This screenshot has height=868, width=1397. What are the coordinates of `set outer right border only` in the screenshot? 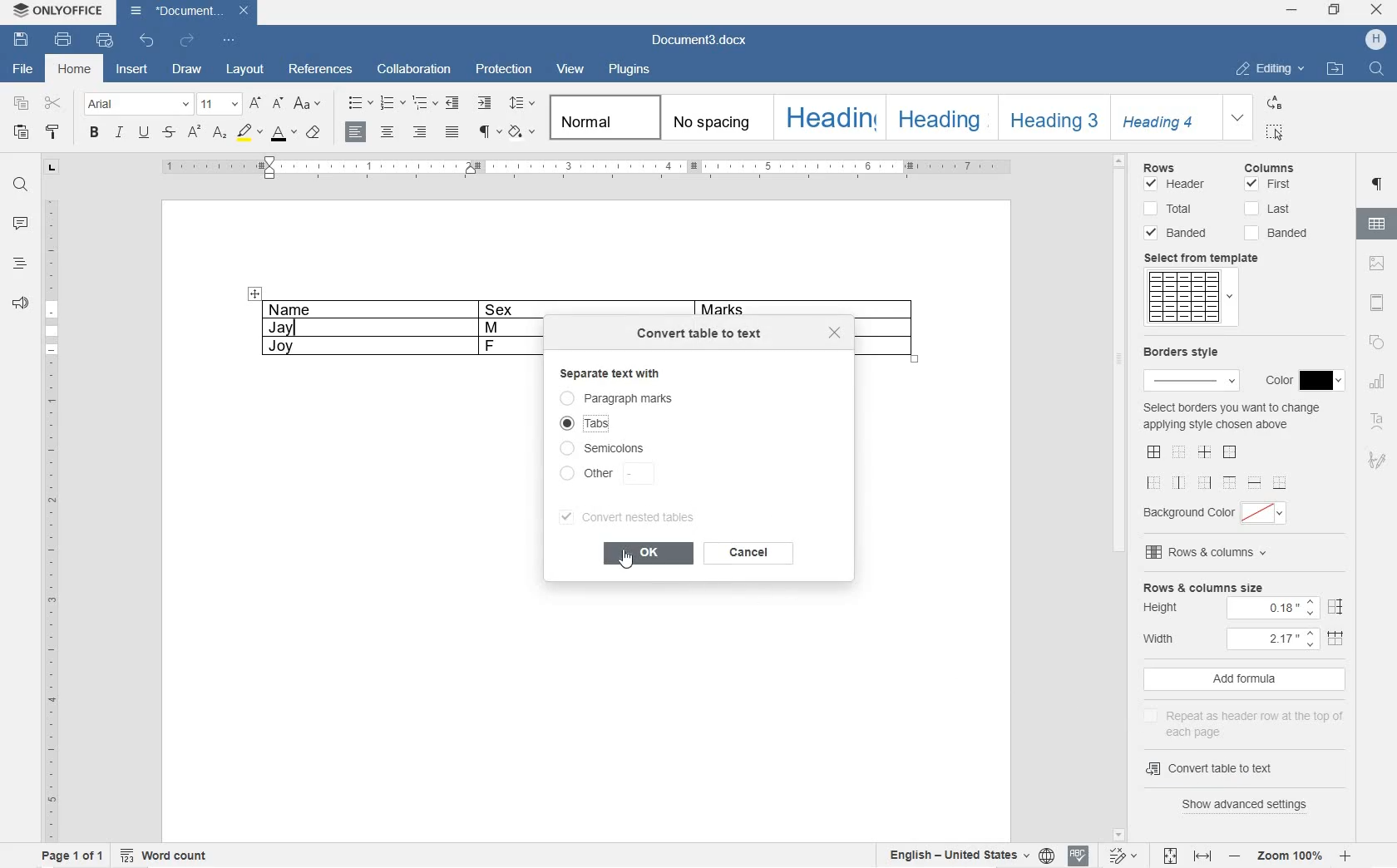 It's located at (1203, 481).